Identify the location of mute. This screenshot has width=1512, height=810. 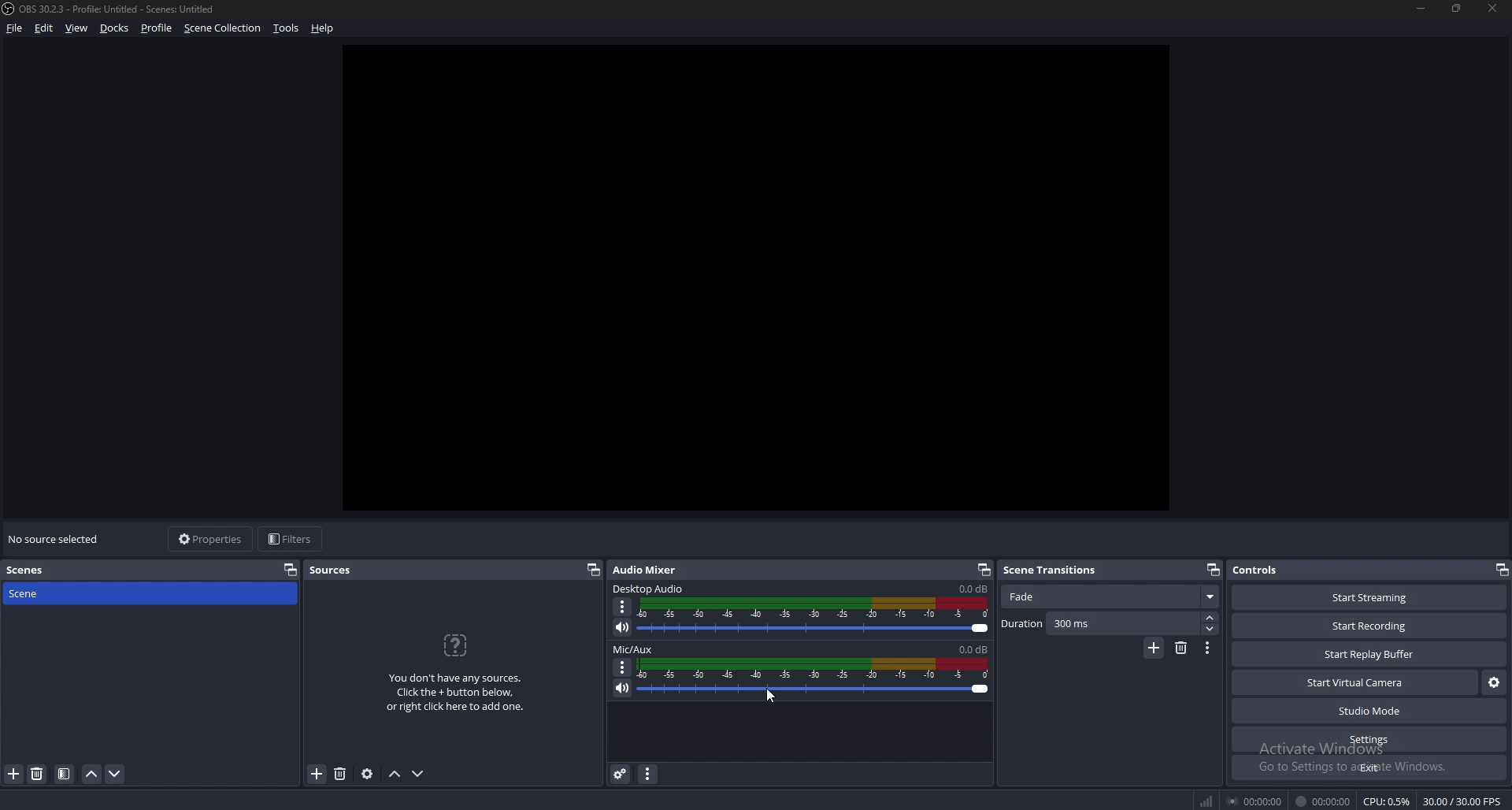
(621, 689).